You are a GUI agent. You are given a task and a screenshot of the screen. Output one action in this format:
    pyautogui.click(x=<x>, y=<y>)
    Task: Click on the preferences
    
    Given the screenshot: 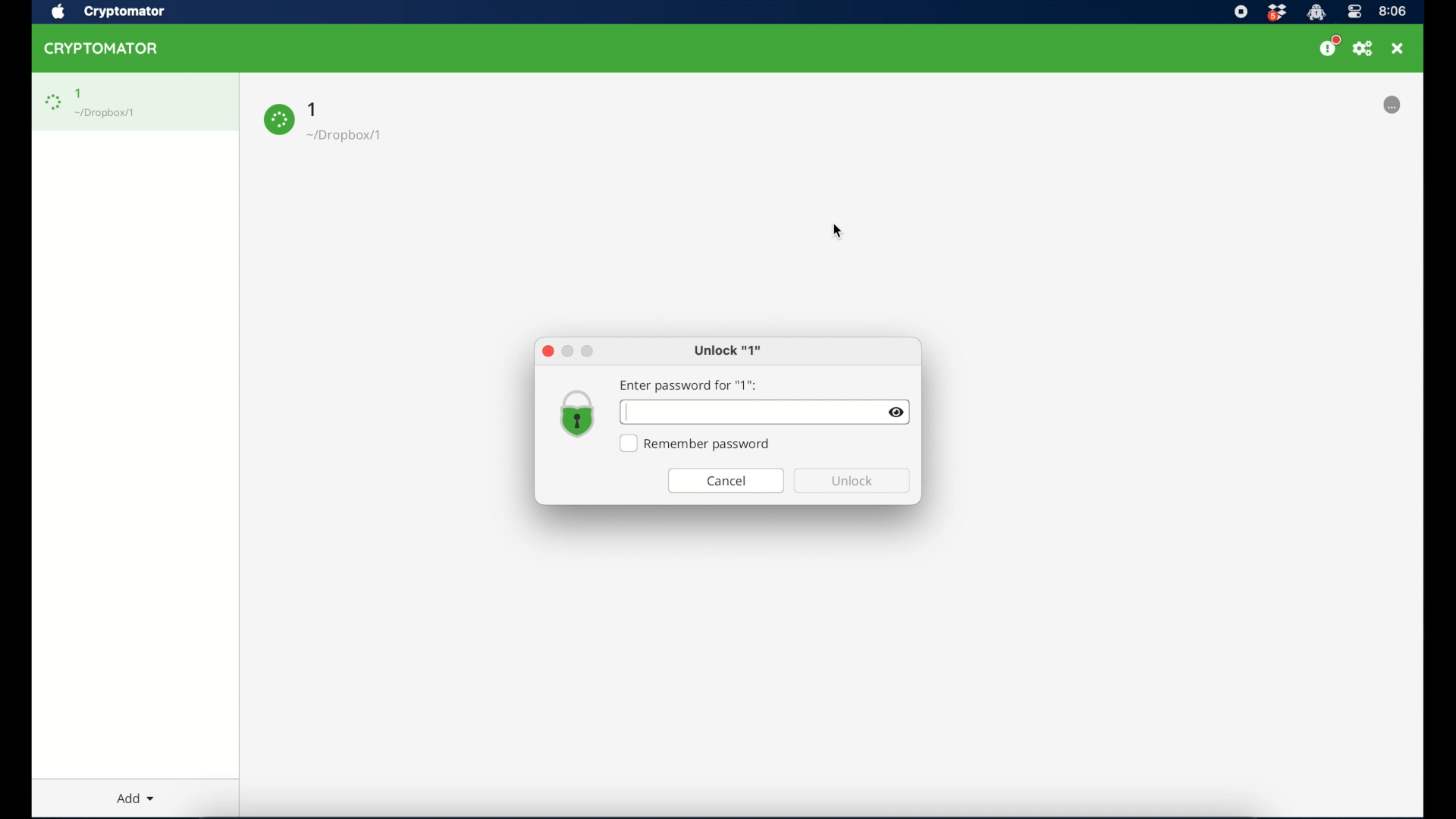 What is the action you would take?
    pyautogui.click(x=1363, y=49)
    